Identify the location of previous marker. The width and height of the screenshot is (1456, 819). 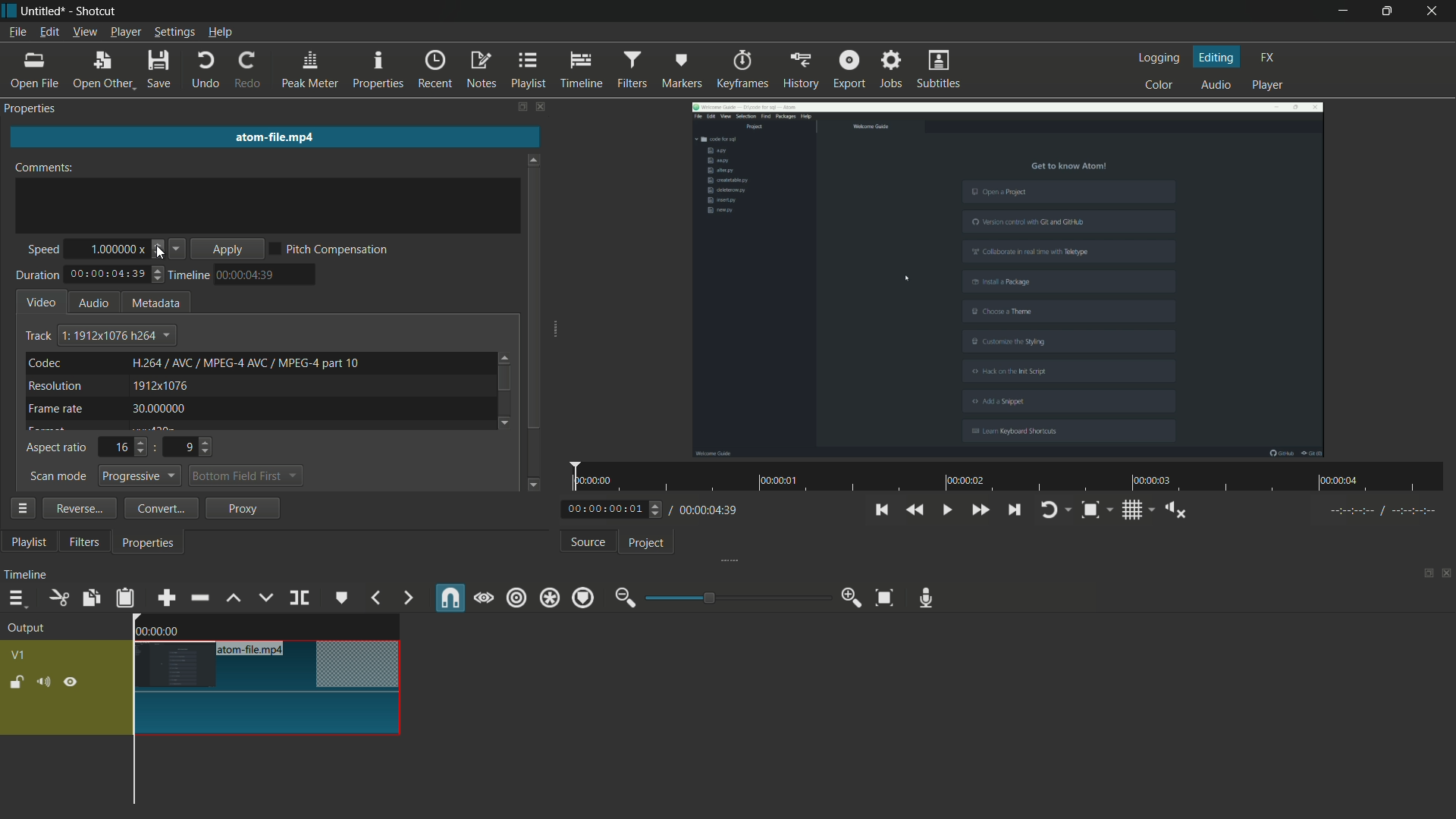
(376, 598).